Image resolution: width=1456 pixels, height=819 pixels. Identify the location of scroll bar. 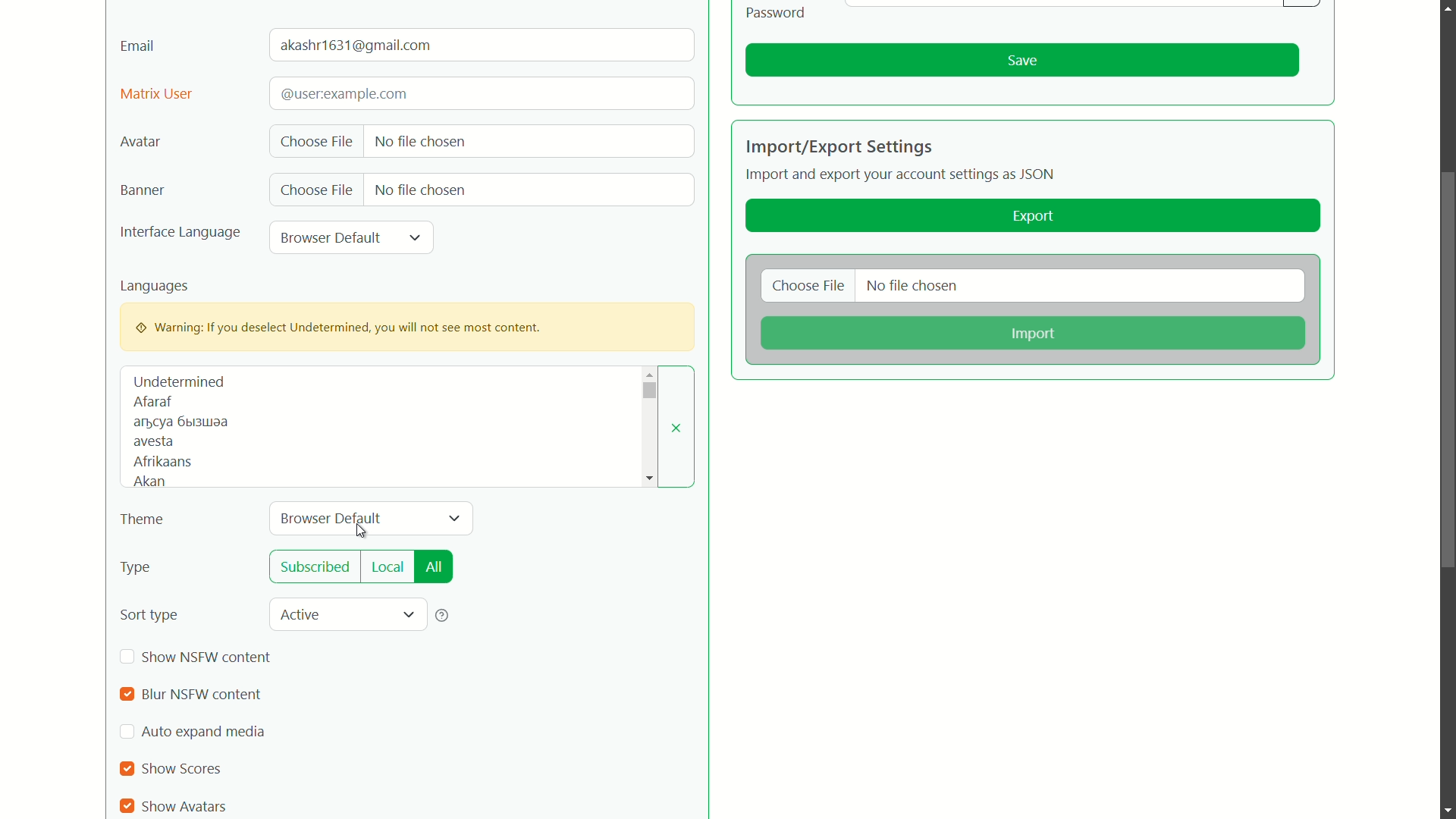
(1445, 373).